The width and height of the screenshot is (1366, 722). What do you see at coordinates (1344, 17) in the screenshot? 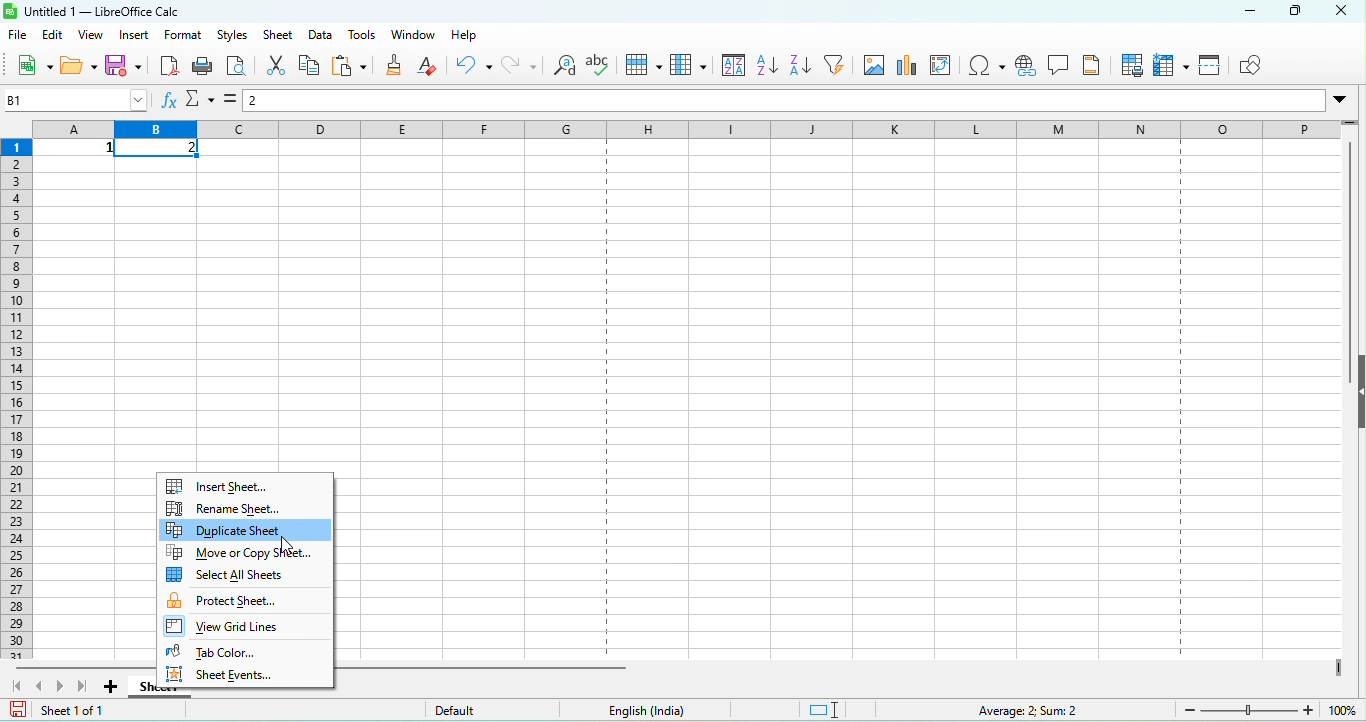
I see `close` at bounding box center [1344, 17].